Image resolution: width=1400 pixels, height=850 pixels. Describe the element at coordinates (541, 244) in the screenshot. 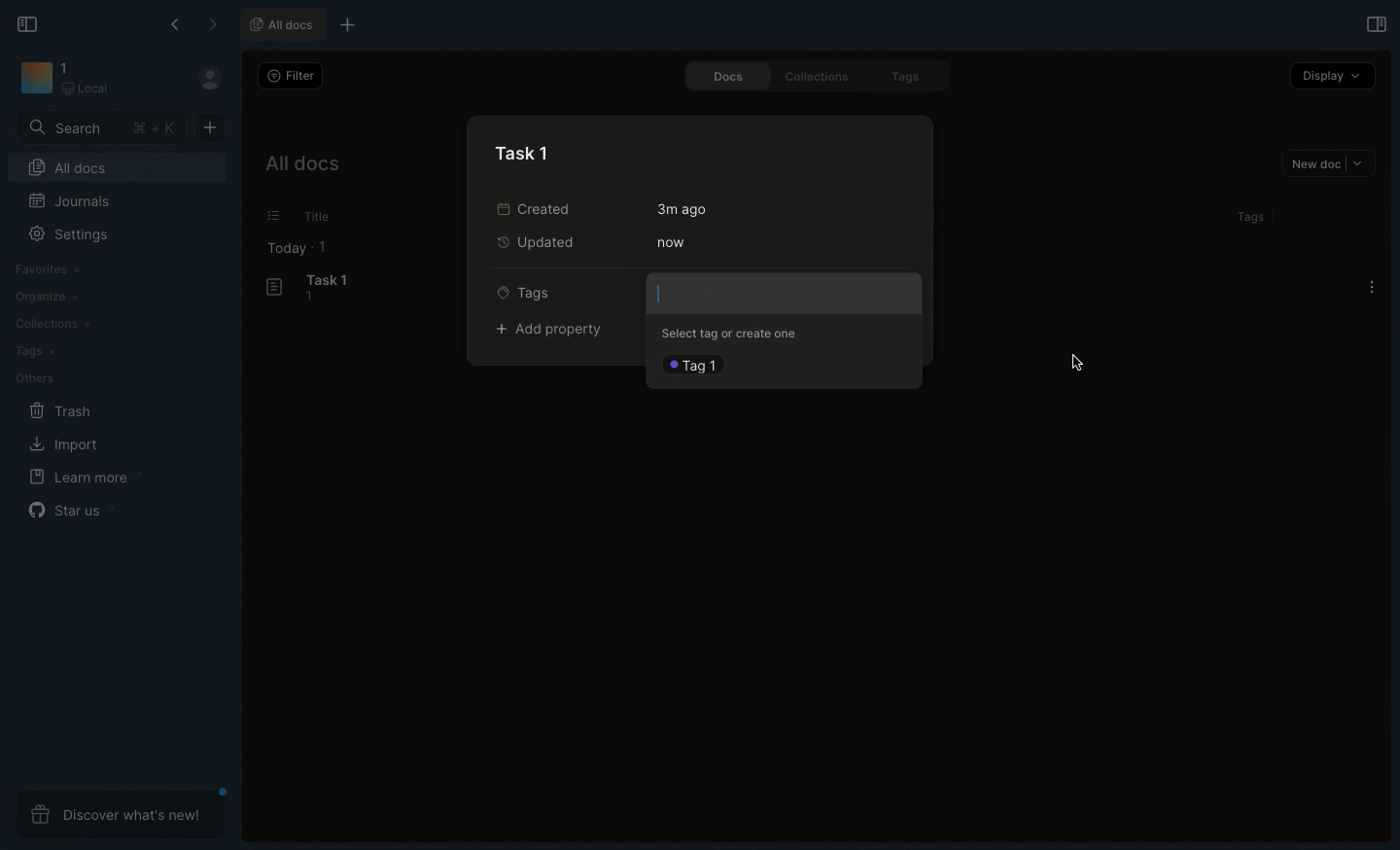

I see `Updated` at that location.